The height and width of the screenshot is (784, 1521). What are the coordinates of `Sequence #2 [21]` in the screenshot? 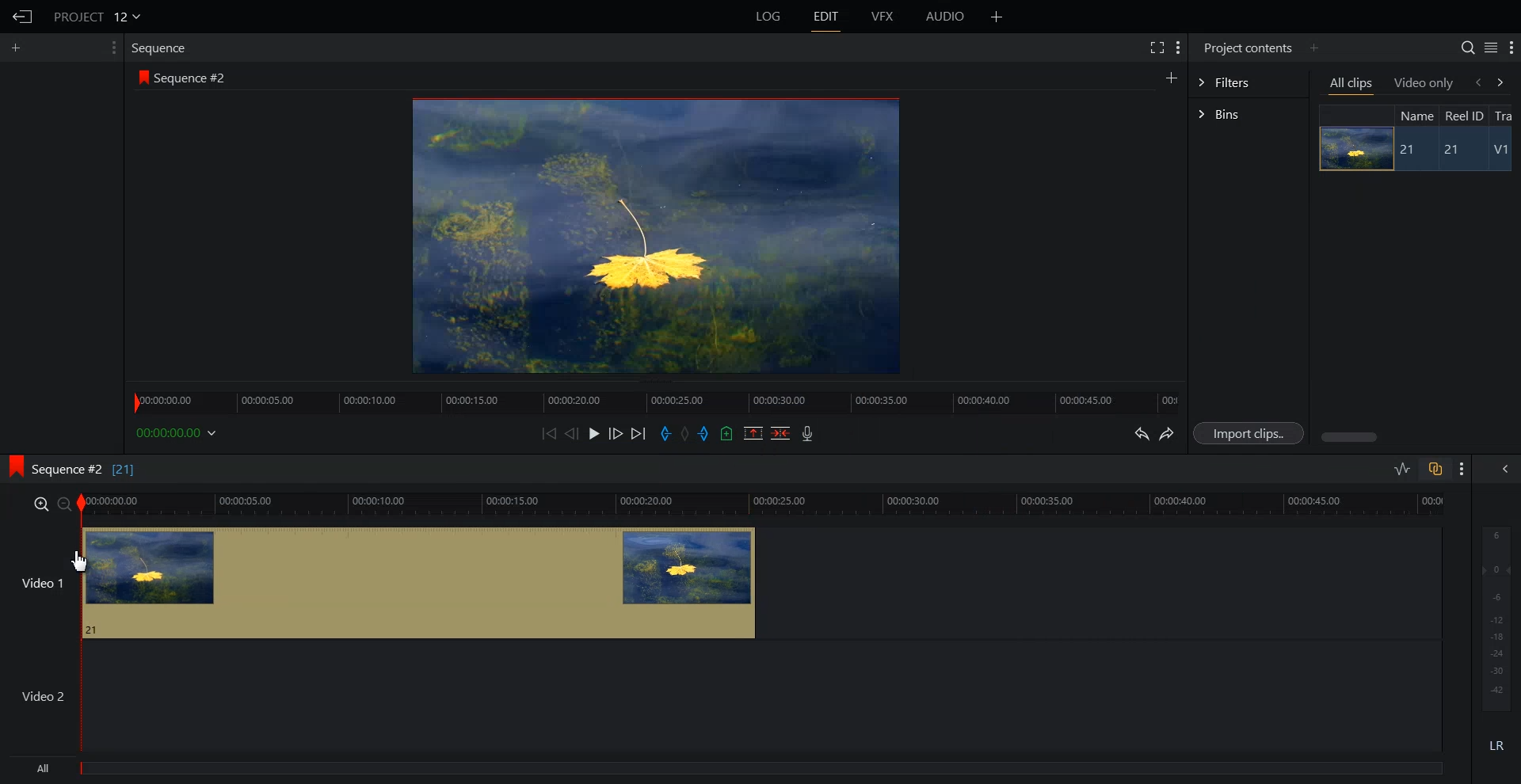 It's located at (85, 470).